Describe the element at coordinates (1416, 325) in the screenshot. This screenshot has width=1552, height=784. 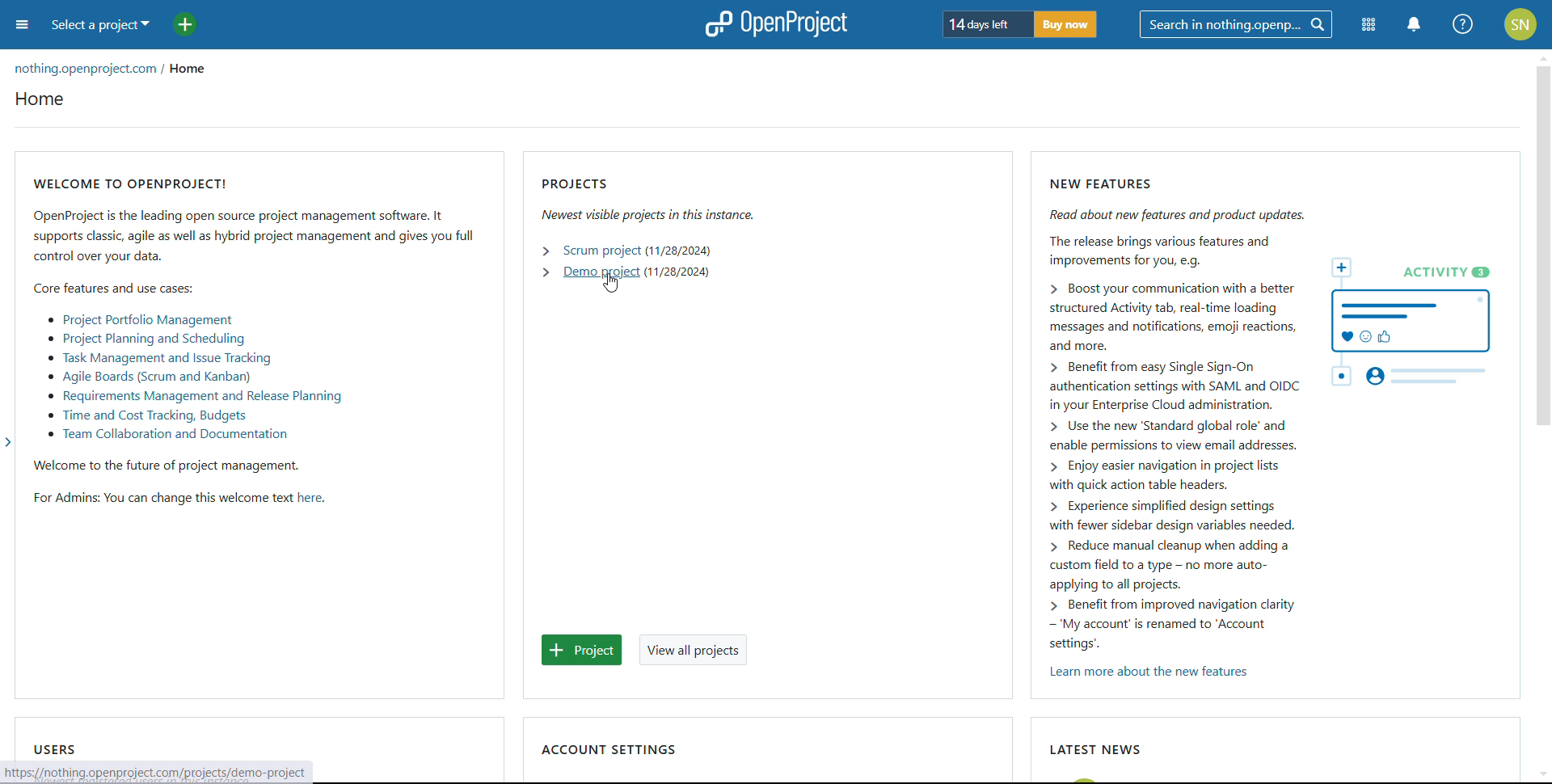
I see `activity 1` at that location.